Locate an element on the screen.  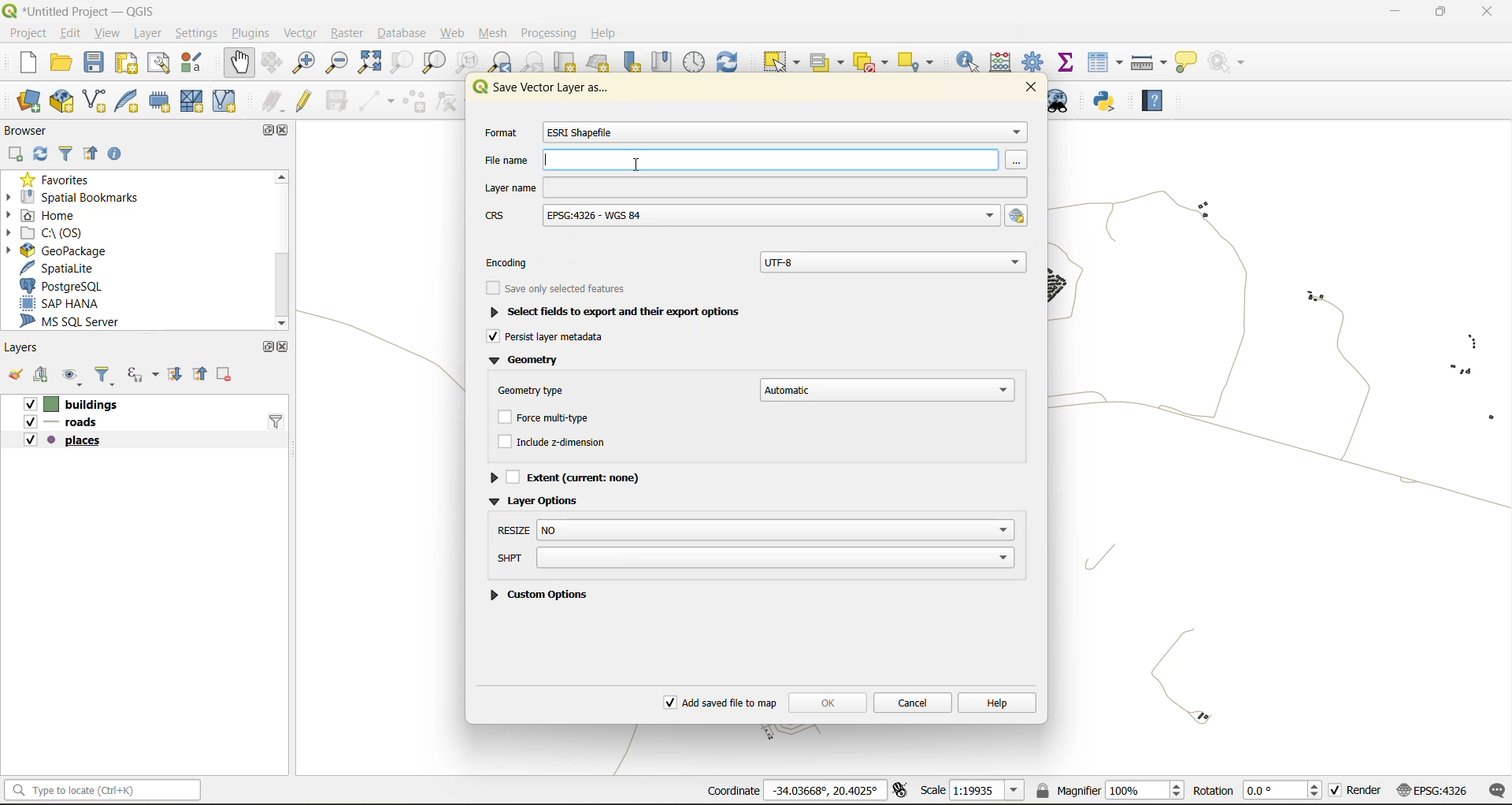
scroolbar is located at coordinates (283, 246).